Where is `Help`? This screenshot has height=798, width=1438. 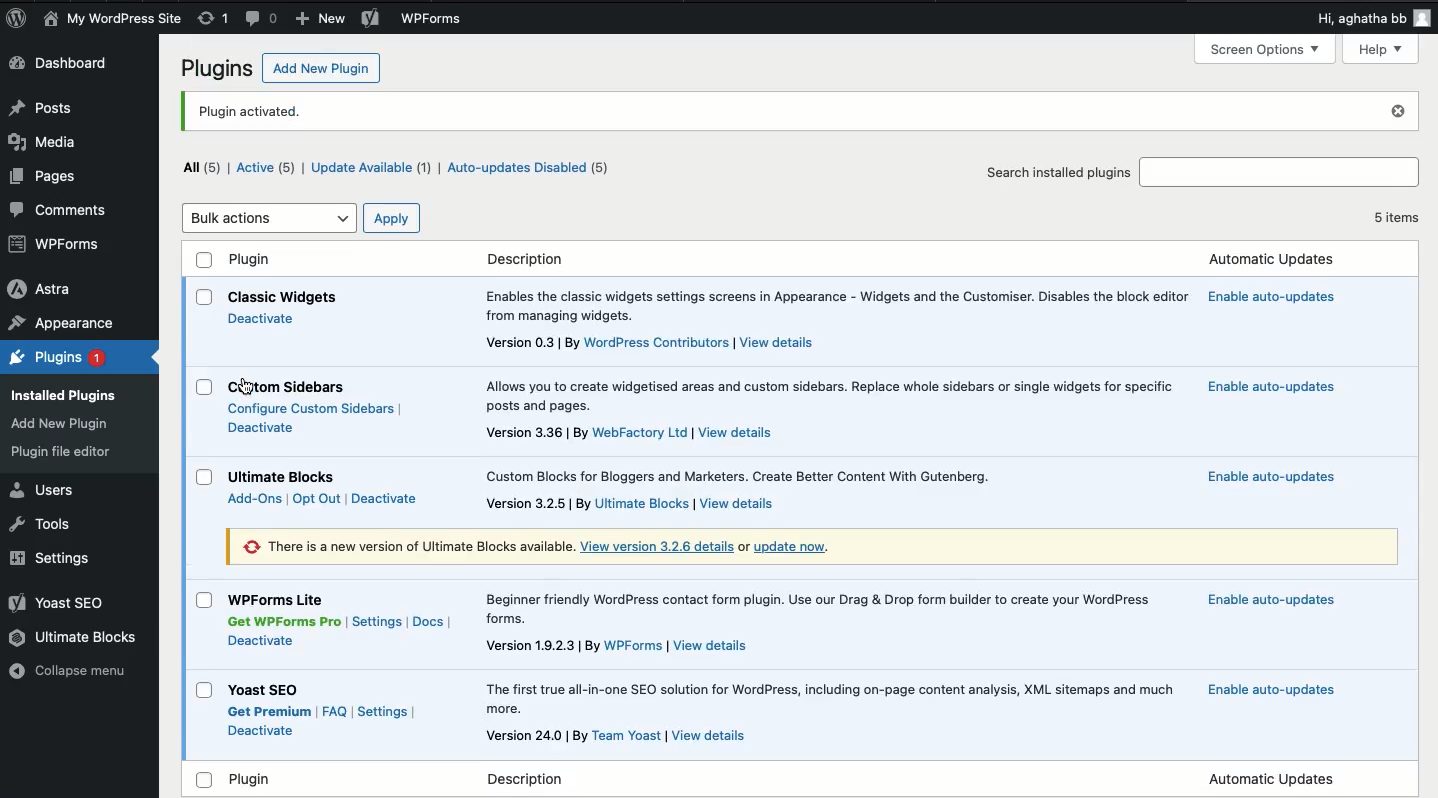
Help is located at coordinates (1382, 50).